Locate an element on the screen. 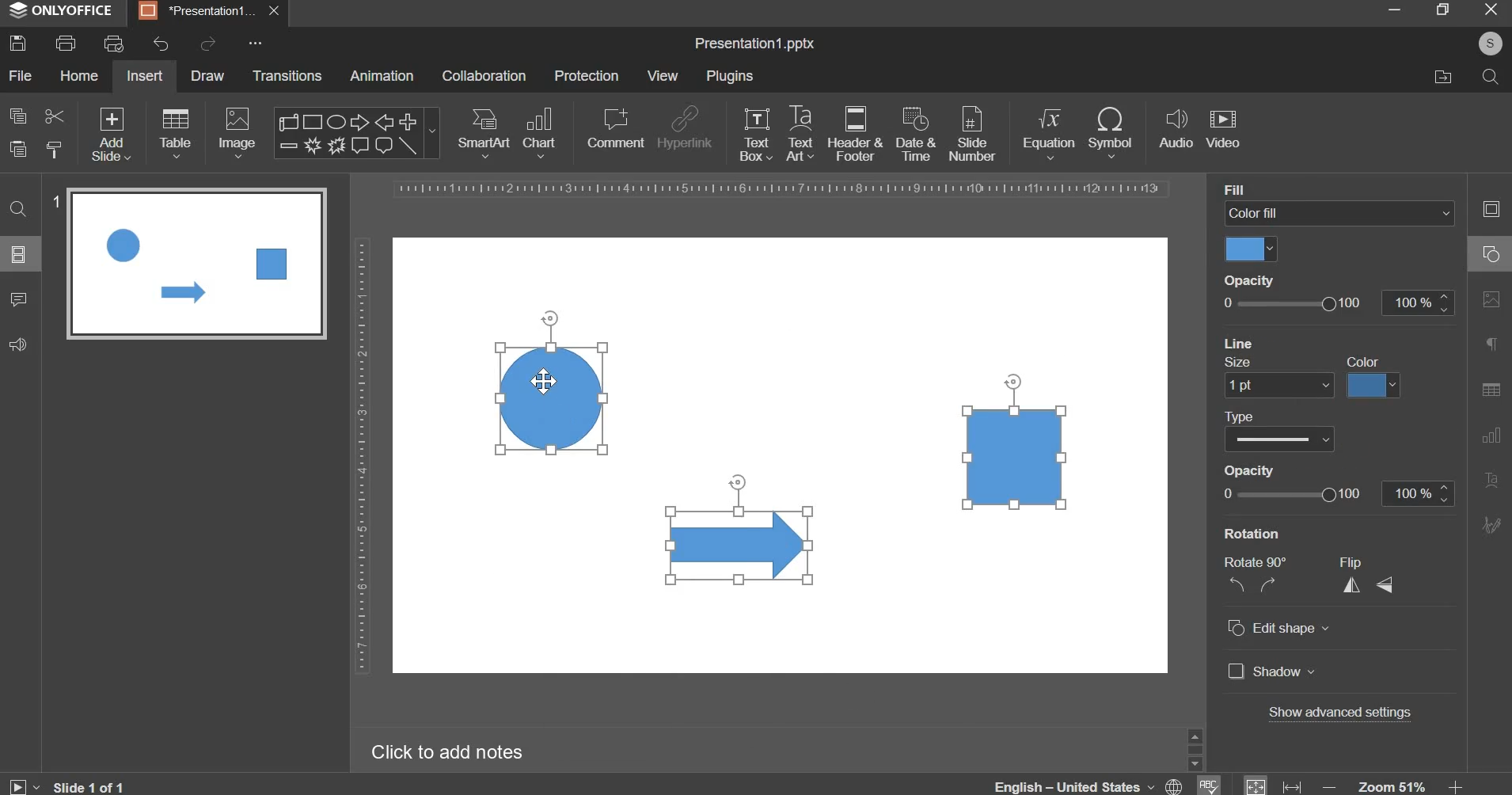 The image size is (1512, 795). paste is located at coordinates (18, 150).